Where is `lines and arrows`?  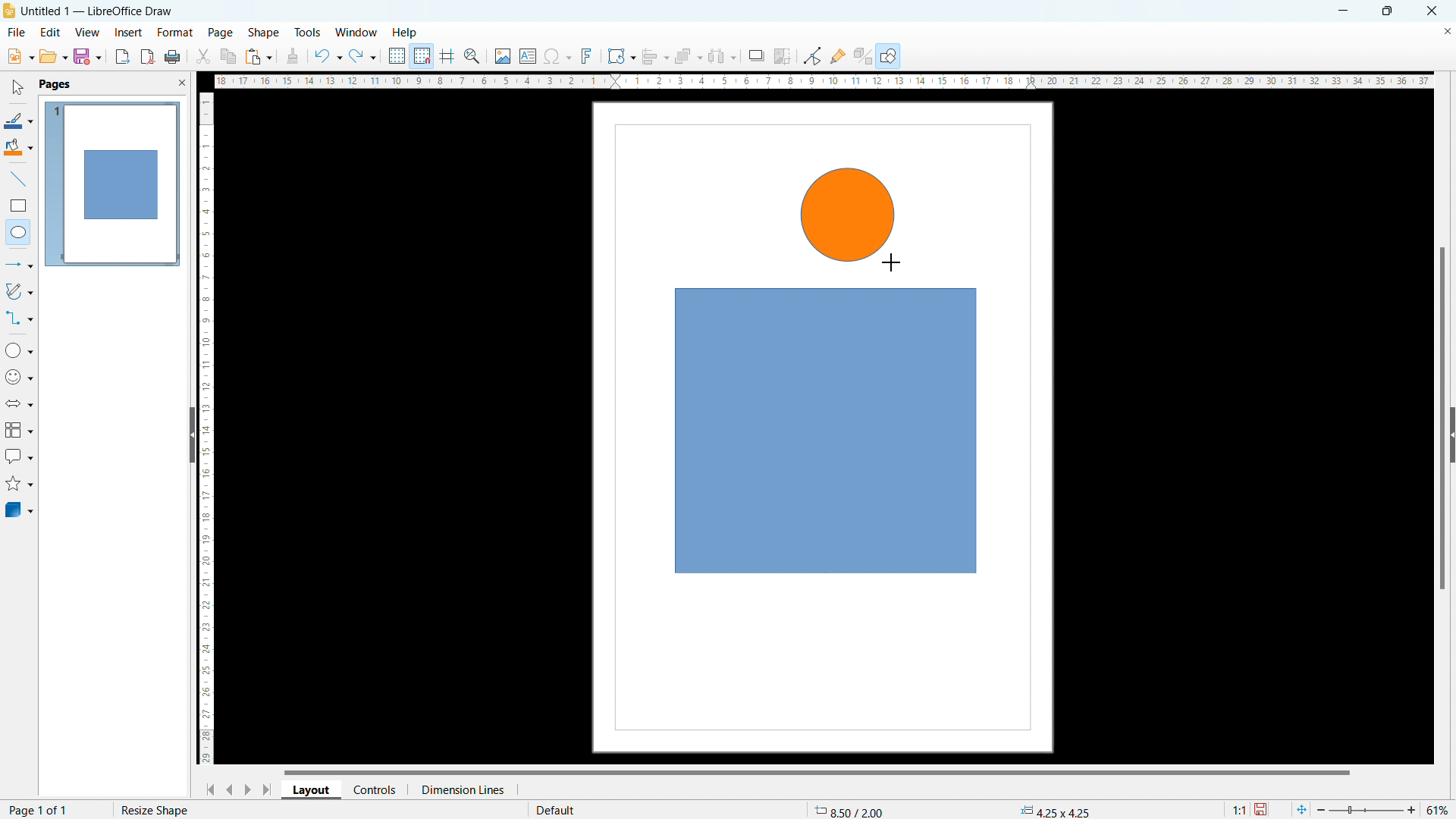
lines and arrows is located at coordinates (20, 266).